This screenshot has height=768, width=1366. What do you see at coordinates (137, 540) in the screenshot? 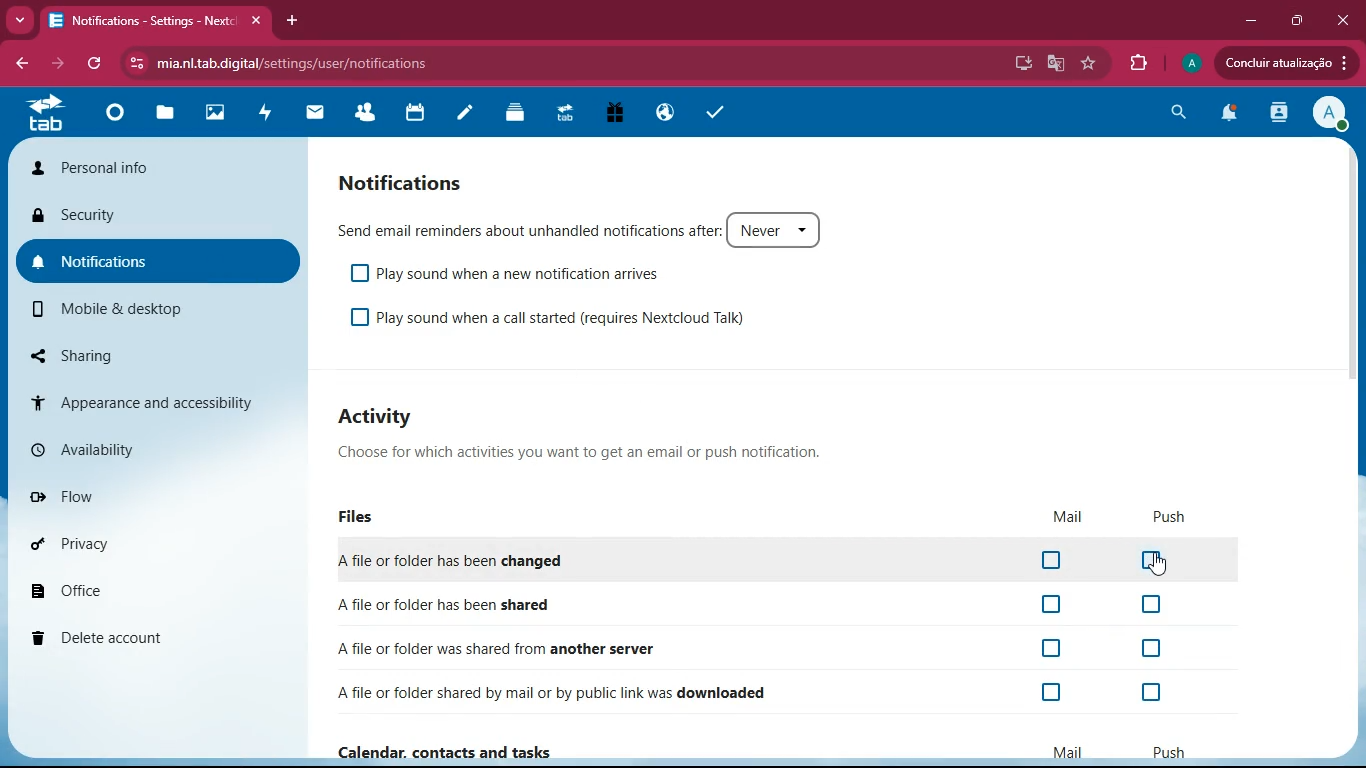
I see `privacy` at bounding box center [137, 540].